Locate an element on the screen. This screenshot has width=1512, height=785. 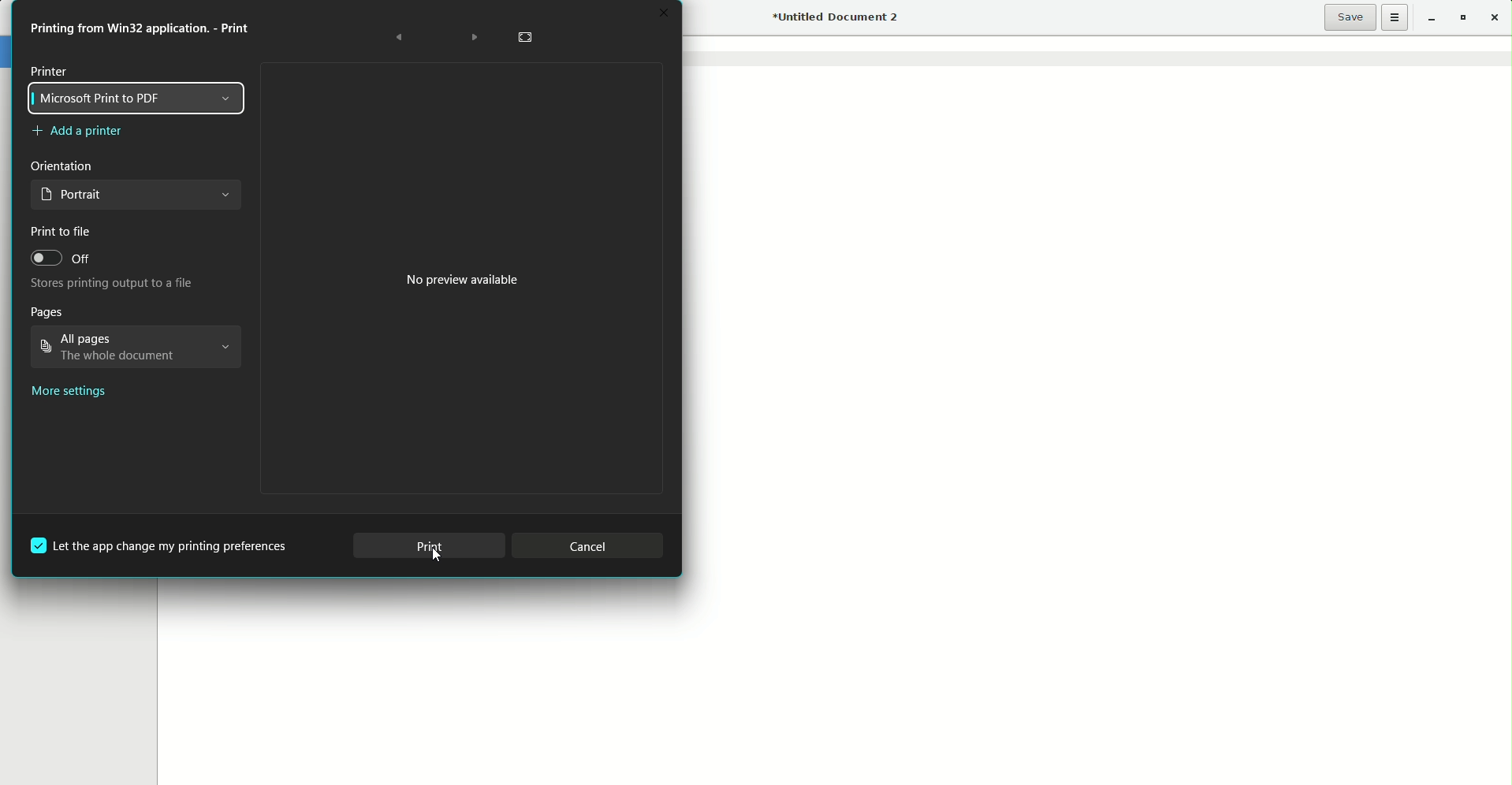
Close is located at coordinates (1499, 18).